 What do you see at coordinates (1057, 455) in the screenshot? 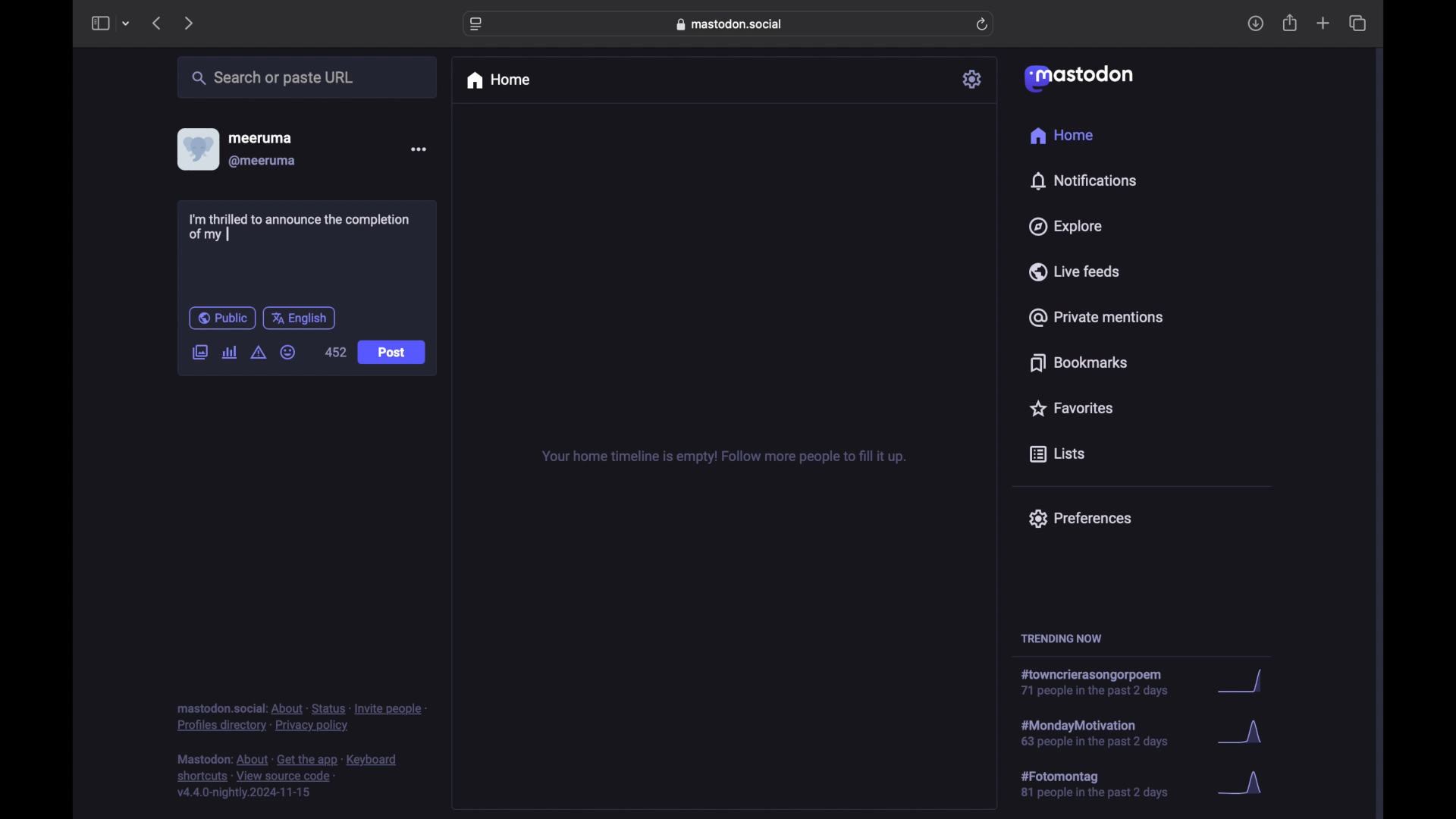
I see `lists` at bounding box center [1057, 455].